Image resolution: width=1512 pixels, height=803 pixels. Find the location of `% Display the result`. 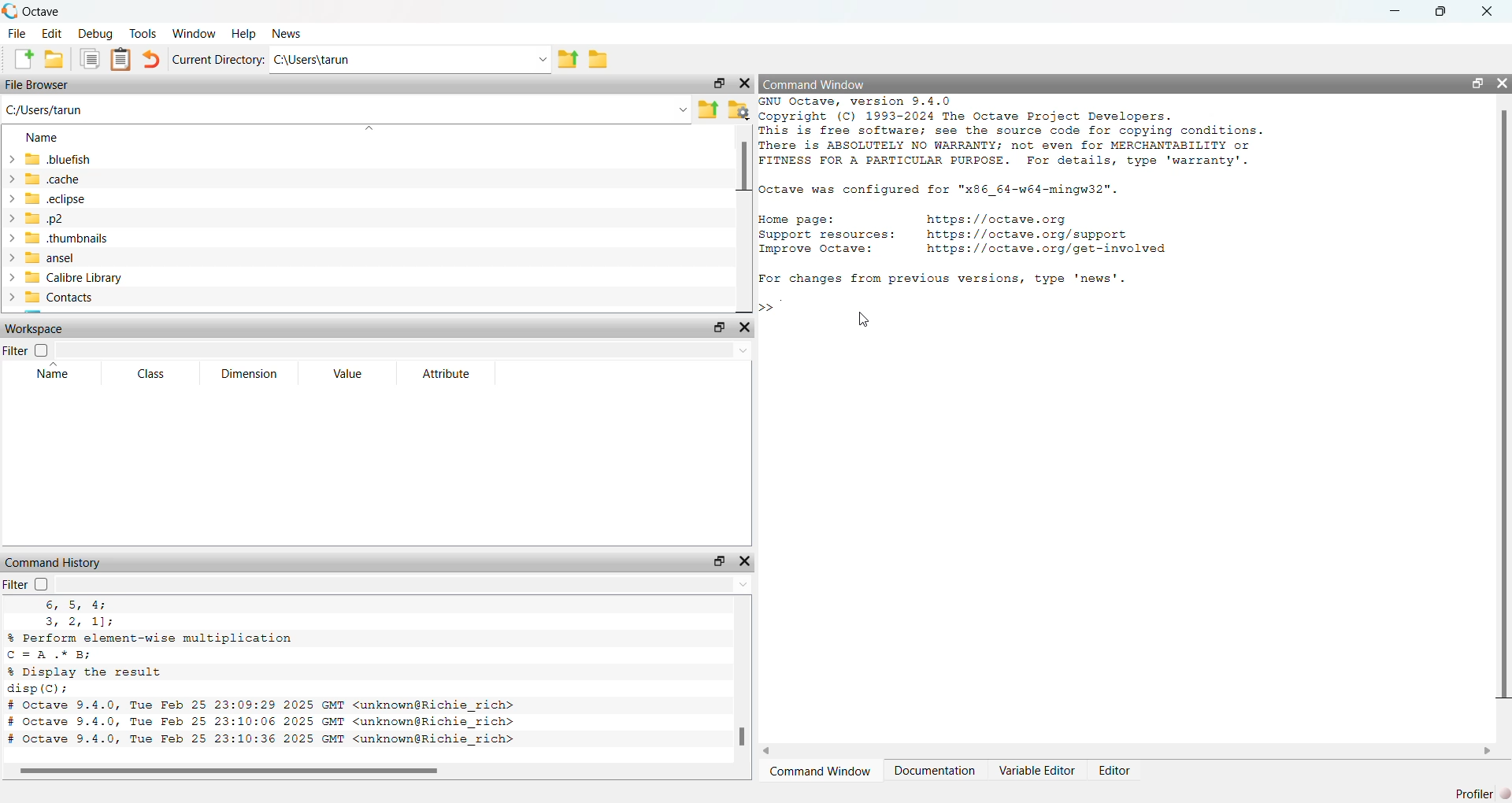

% Display the result is located at coordinates (87, 672).